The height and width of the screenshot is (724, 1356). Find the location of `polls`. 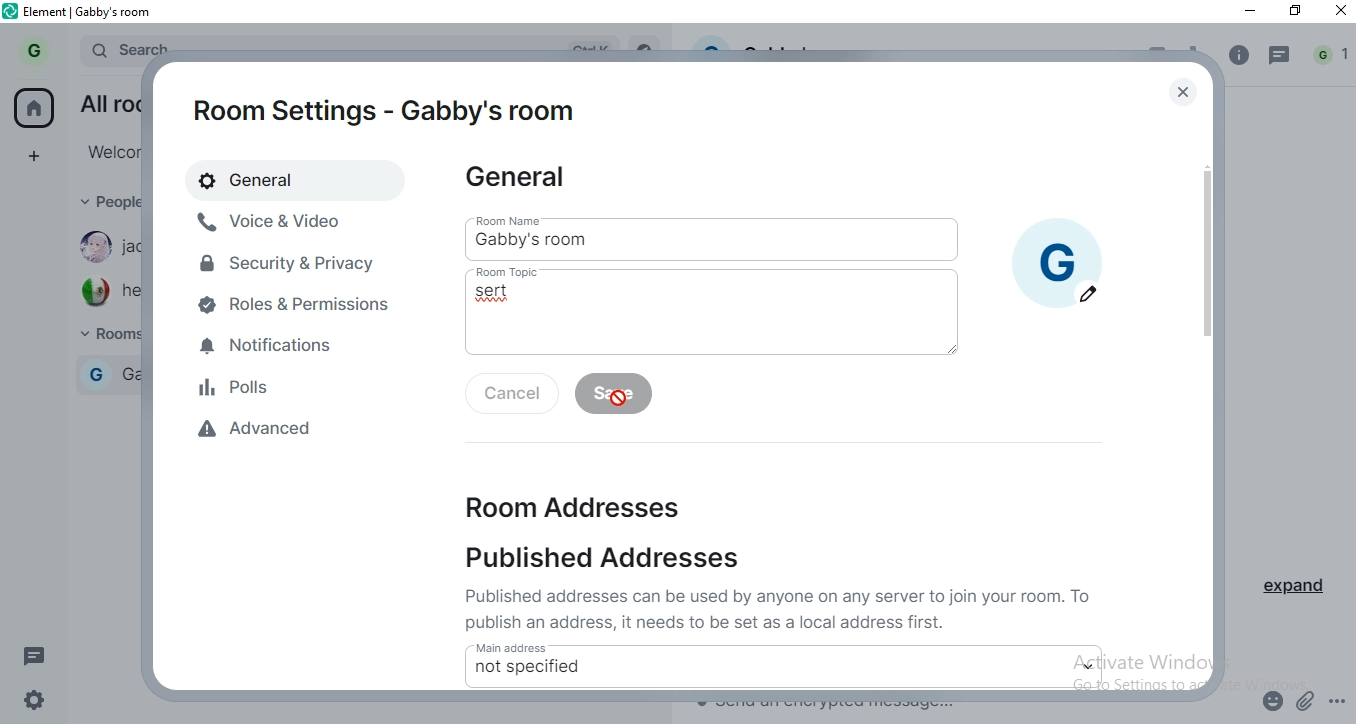

polls is located at coordinates (300, 385).